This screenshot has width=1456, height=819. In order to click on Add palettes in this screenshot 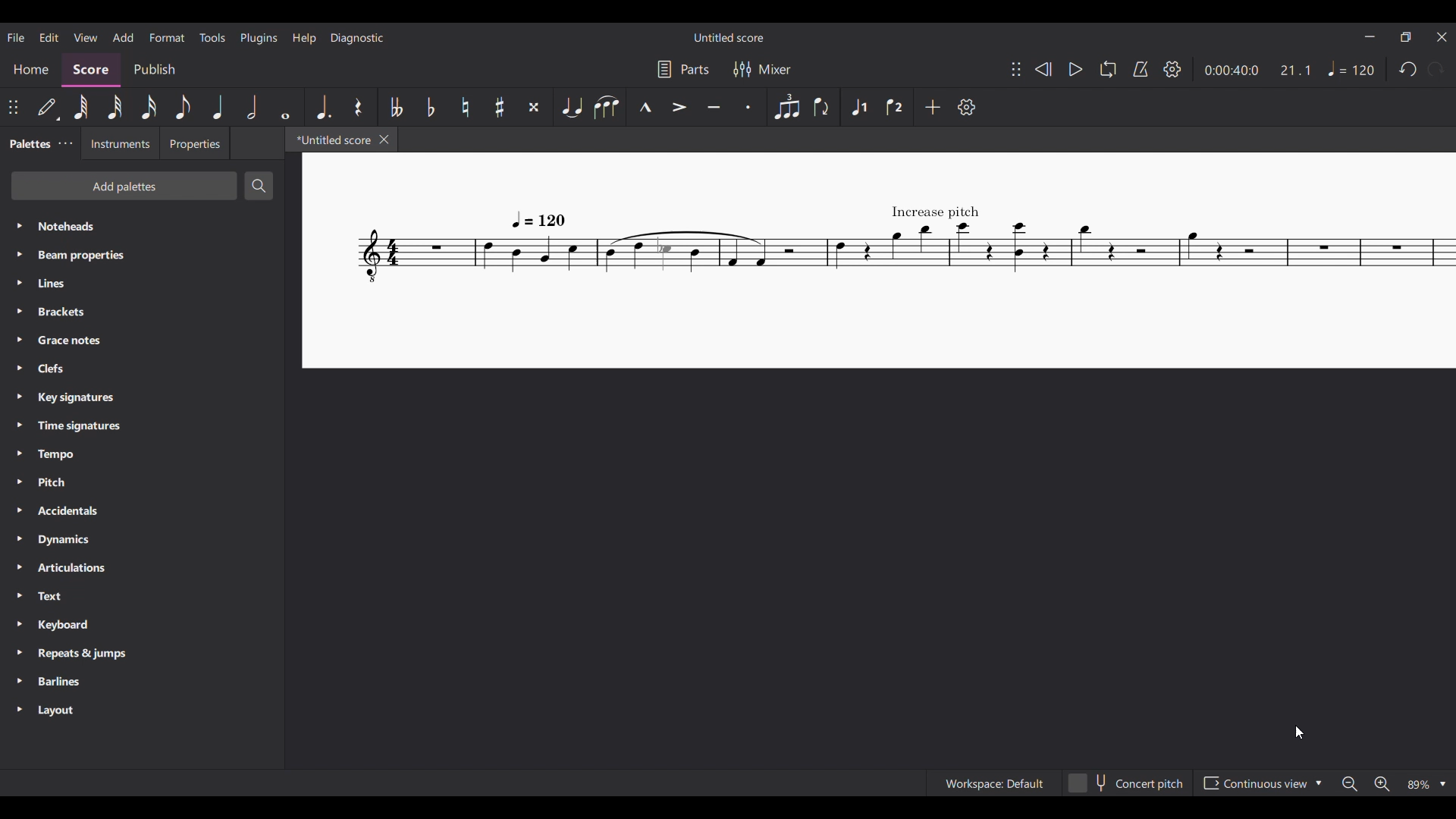, I will do `click(123, 186)`.